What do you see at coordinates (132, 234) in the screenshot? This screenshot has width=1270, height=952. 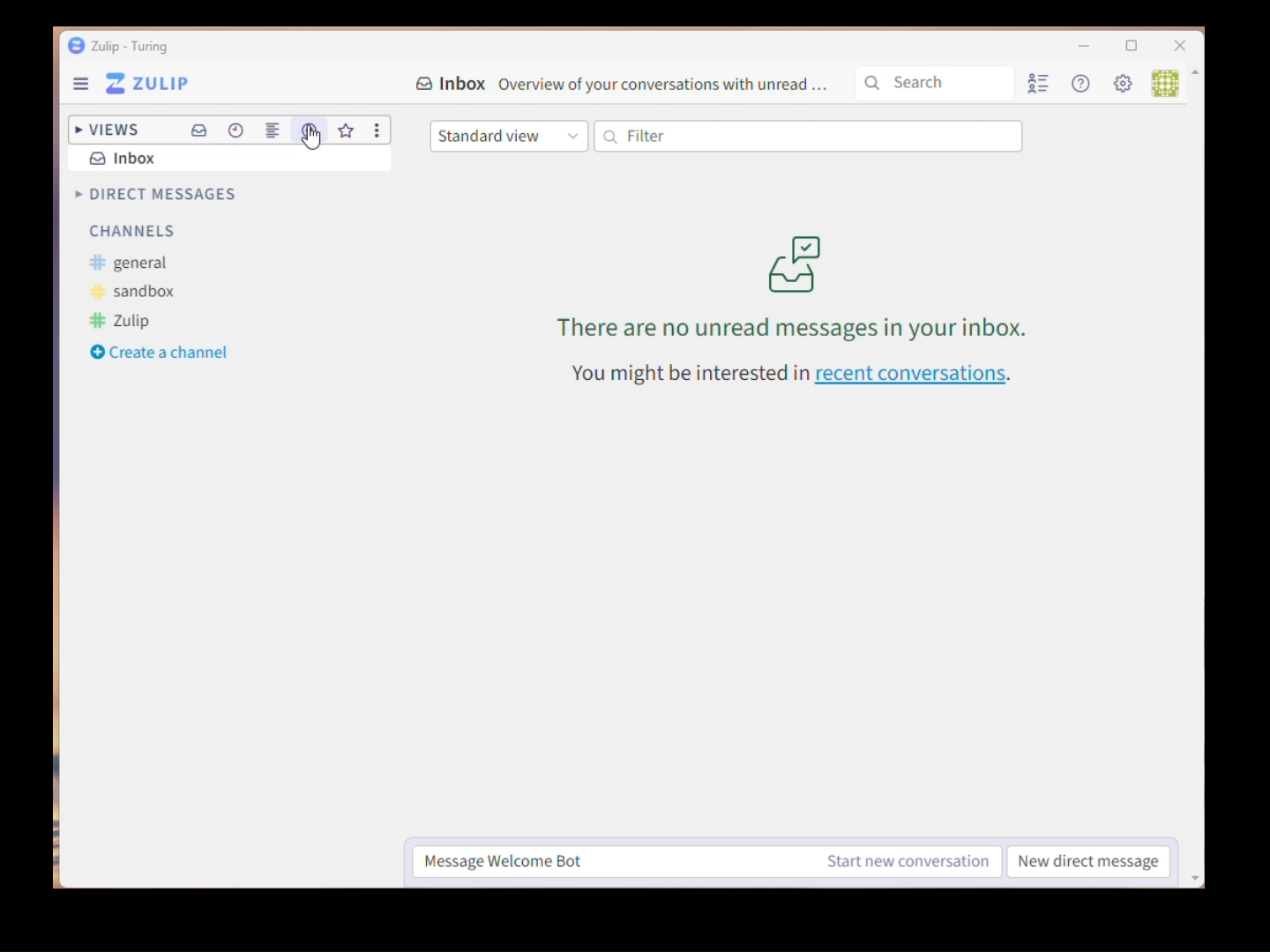 I see `Channels` at bounding box center [132, 234].